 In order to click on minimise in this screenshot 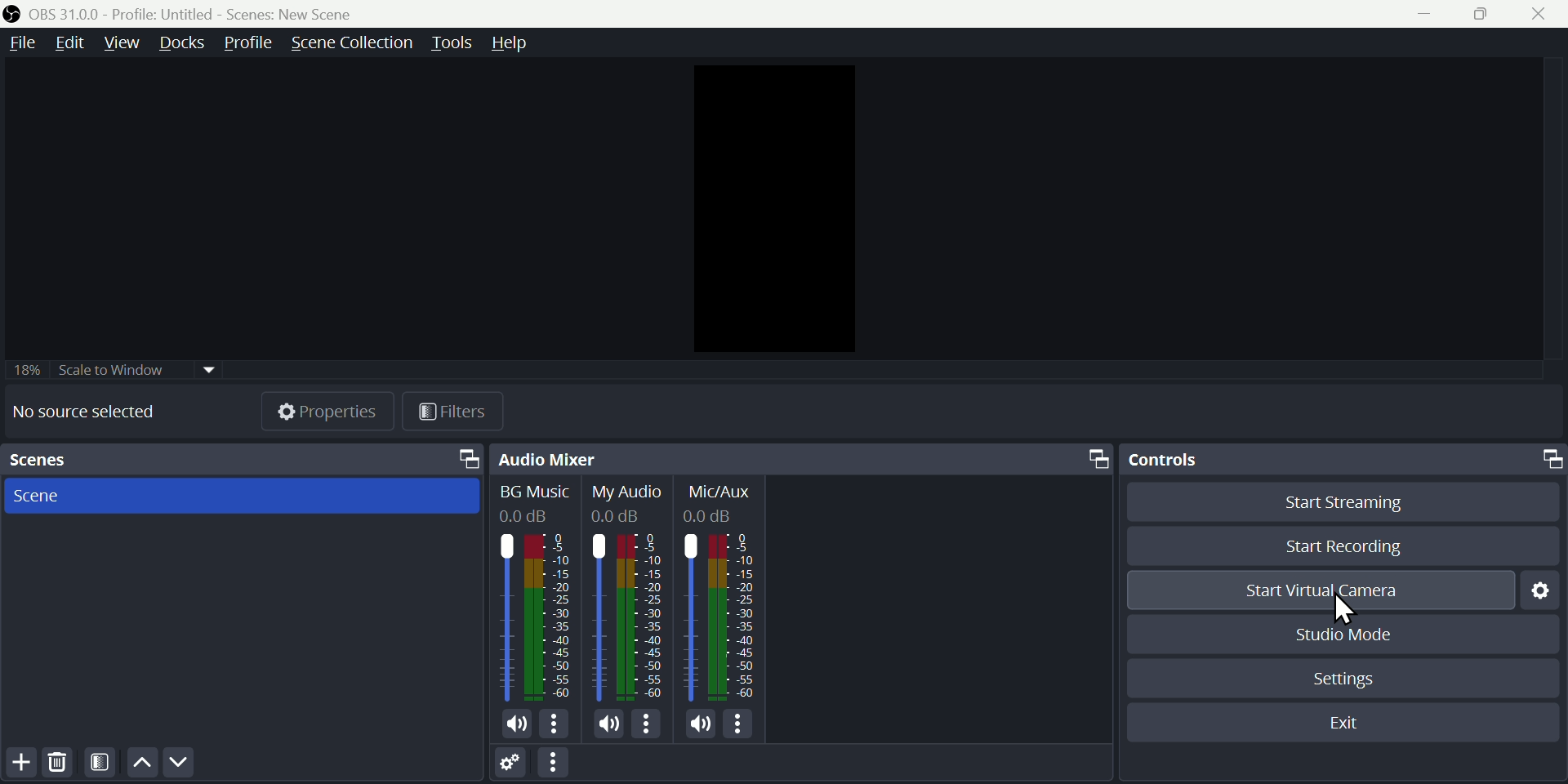, I will do `click(1427, 15)`.